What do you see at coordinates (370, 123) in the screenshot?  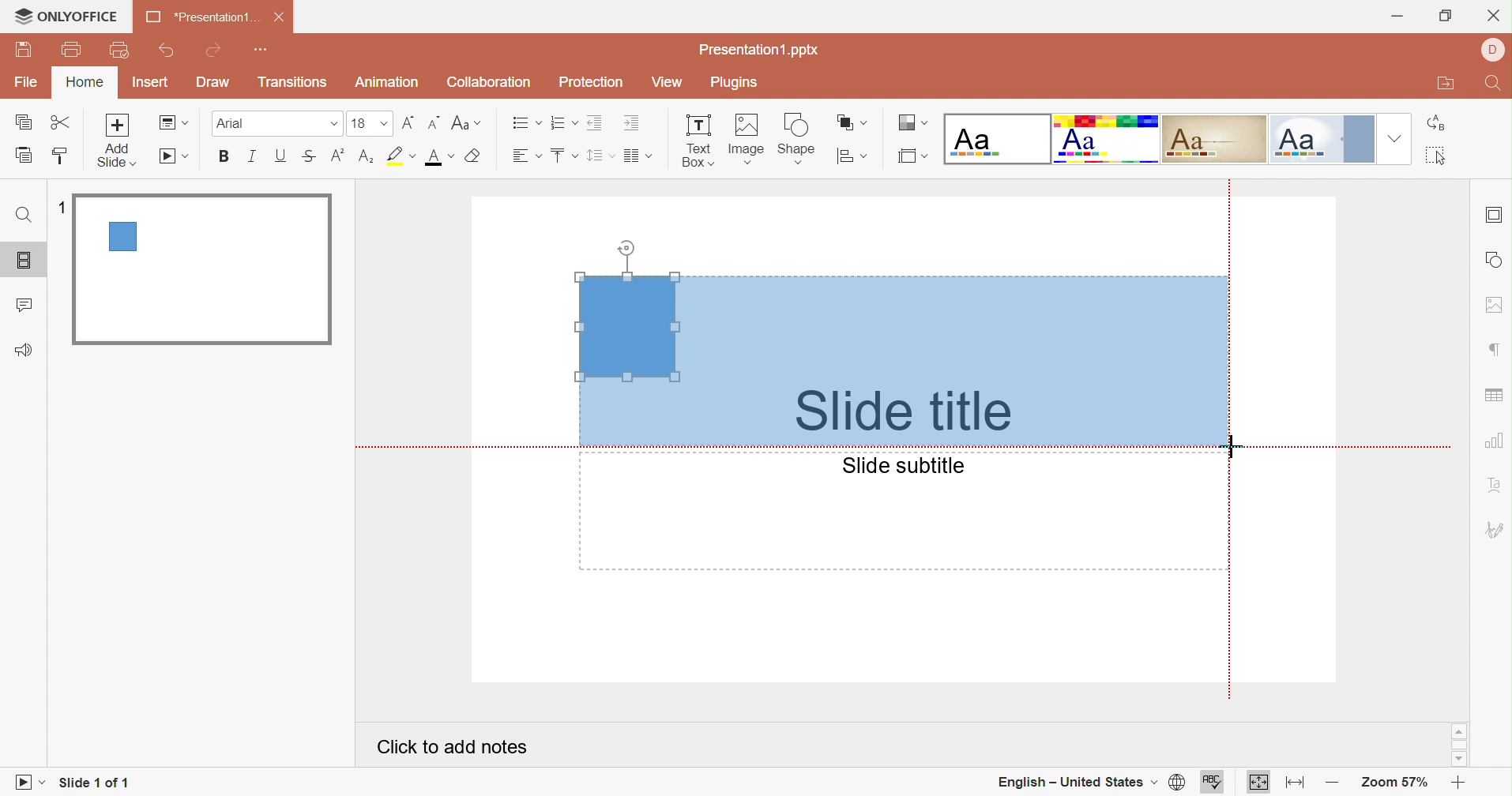 I see `Font size` at bounding box center [370, 123].